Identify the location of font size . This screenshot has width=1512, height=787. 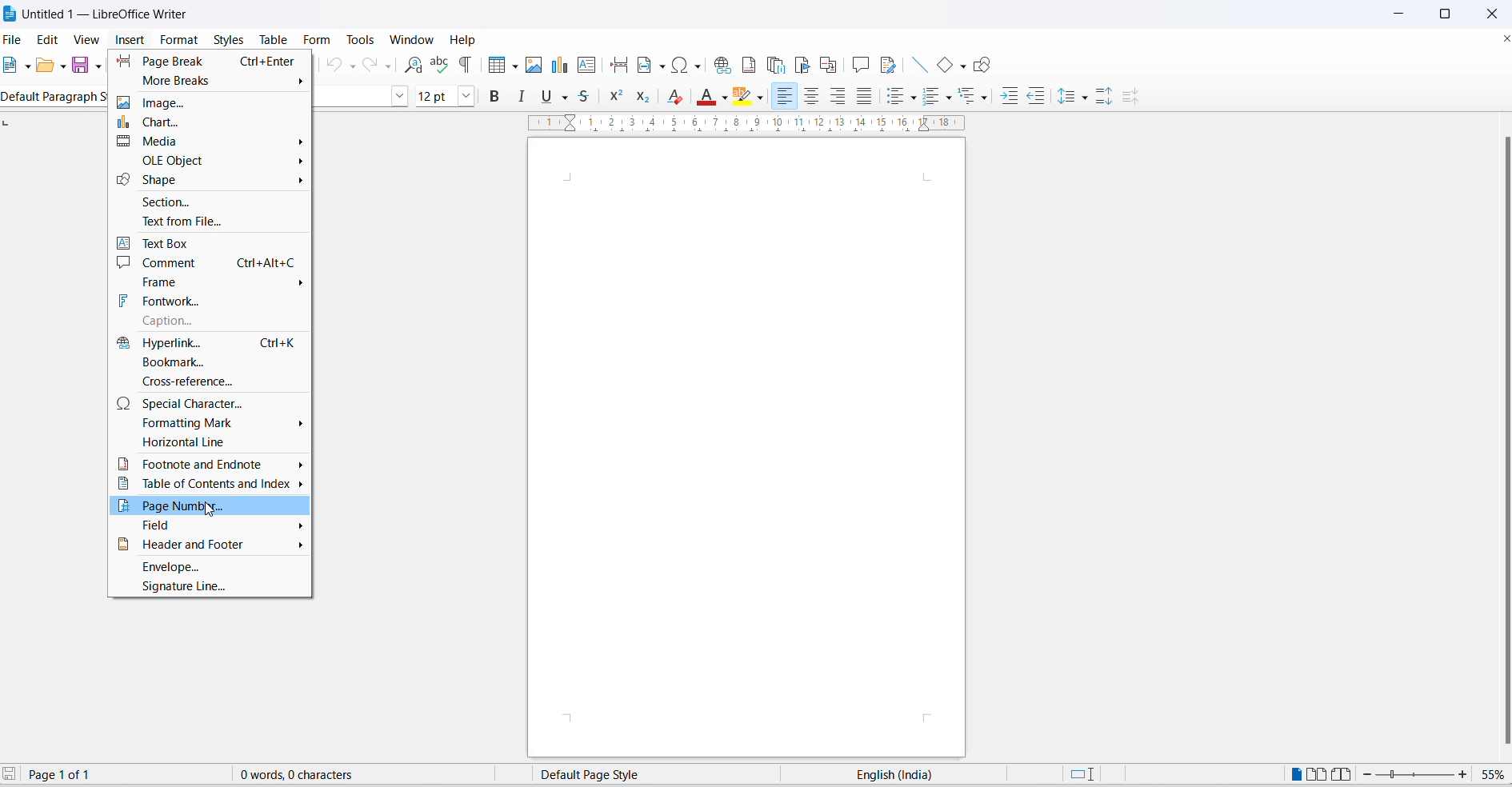
(434, 95).